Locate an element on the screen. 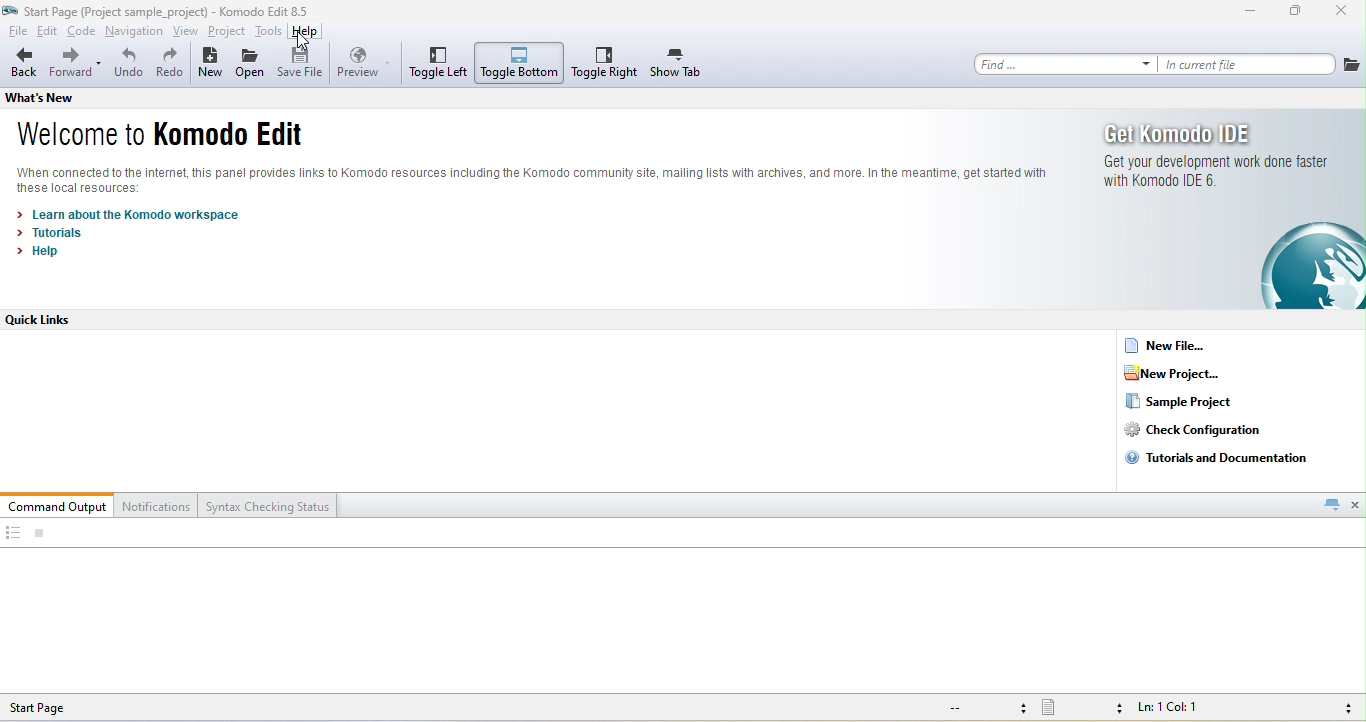  view is located at coordinates (187, 32).